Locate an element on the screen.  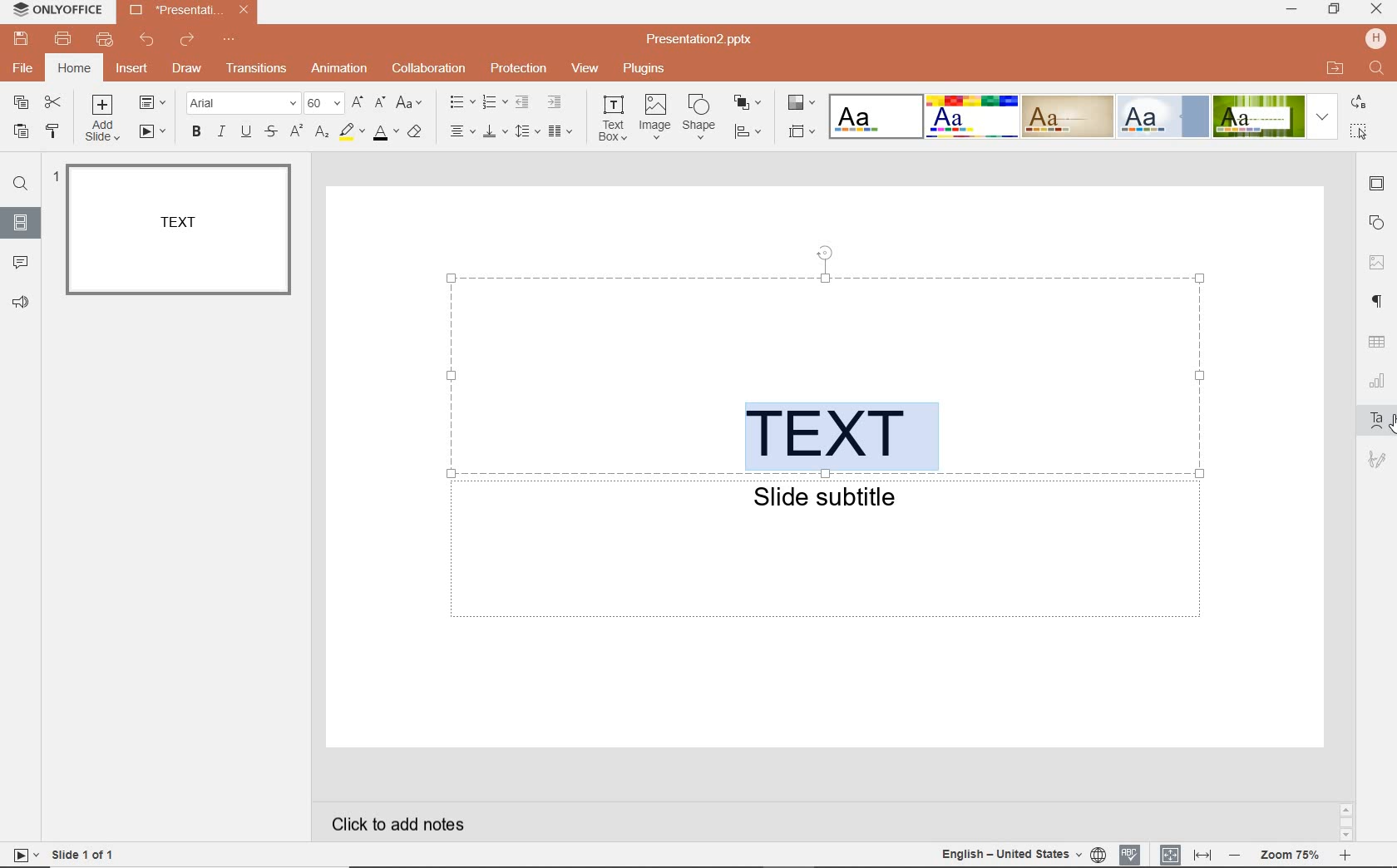
STRIKE THROUGH is located at coordinates (274, 131).